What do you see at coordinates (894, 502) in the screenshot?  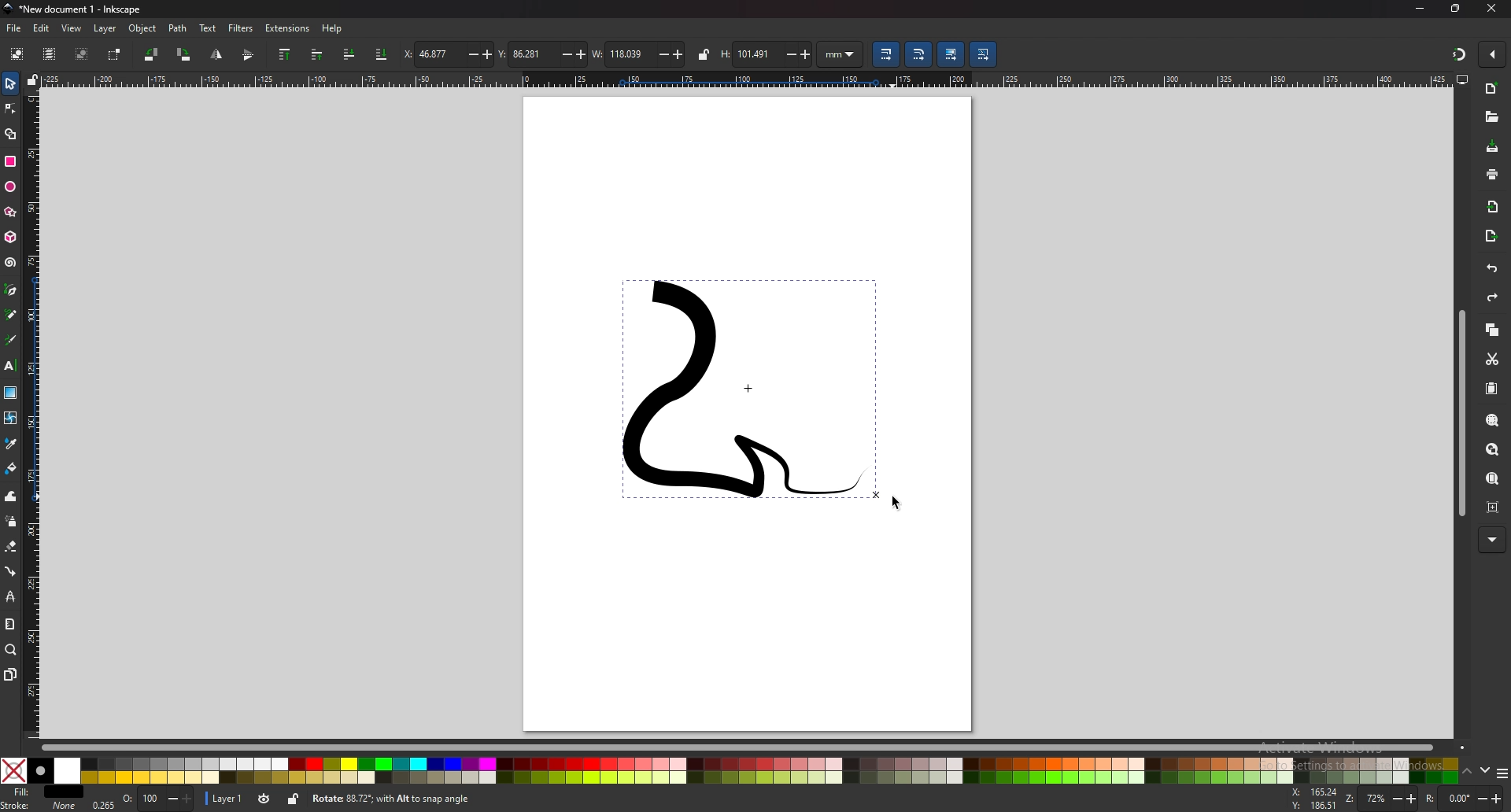 I see `cursor` at bounding box center [894, 502].